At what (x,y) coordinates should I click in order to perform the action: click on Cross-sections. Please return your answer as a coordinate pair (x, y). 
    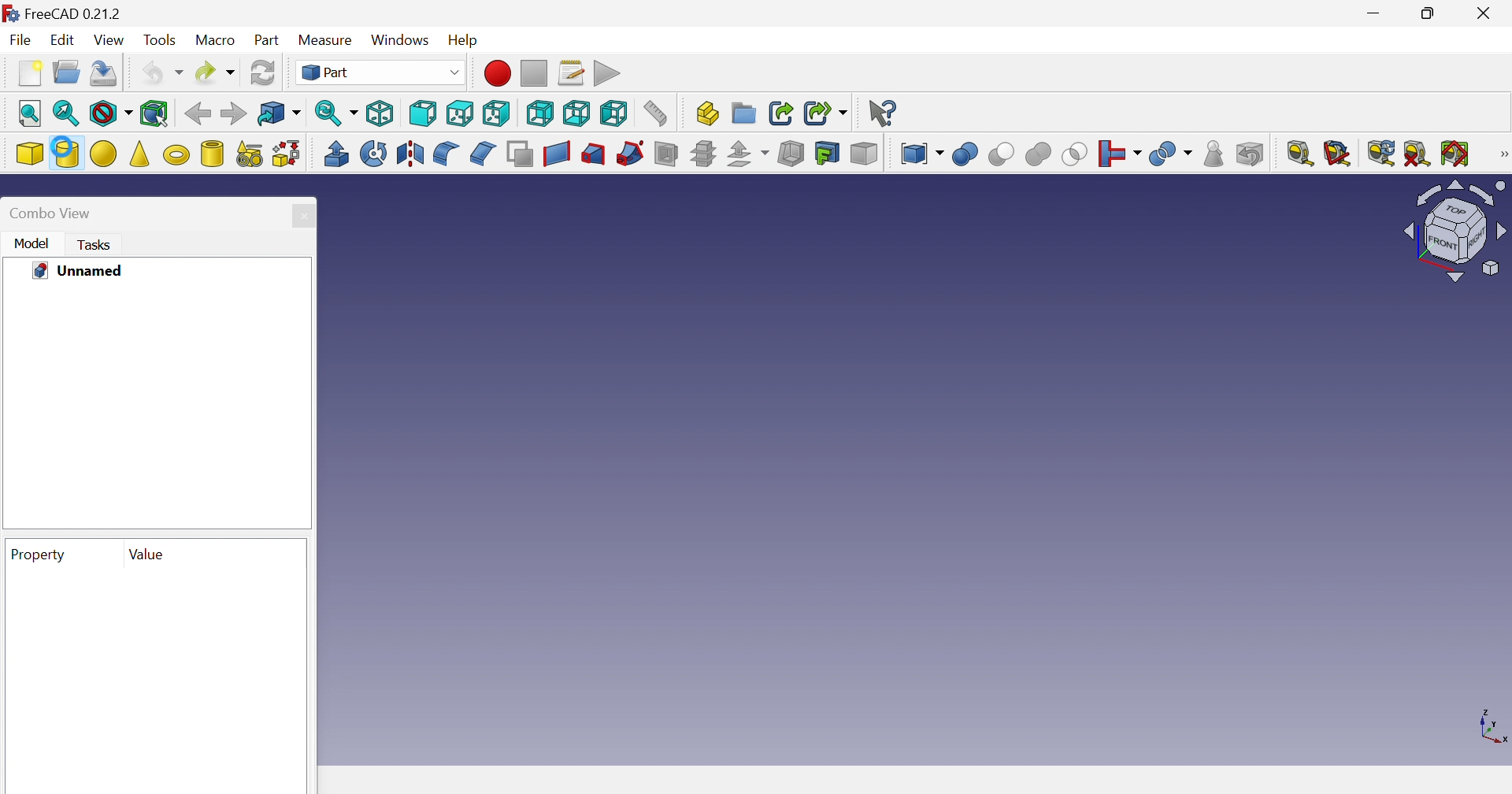
    Looking at the image, I should click on (702, 154).